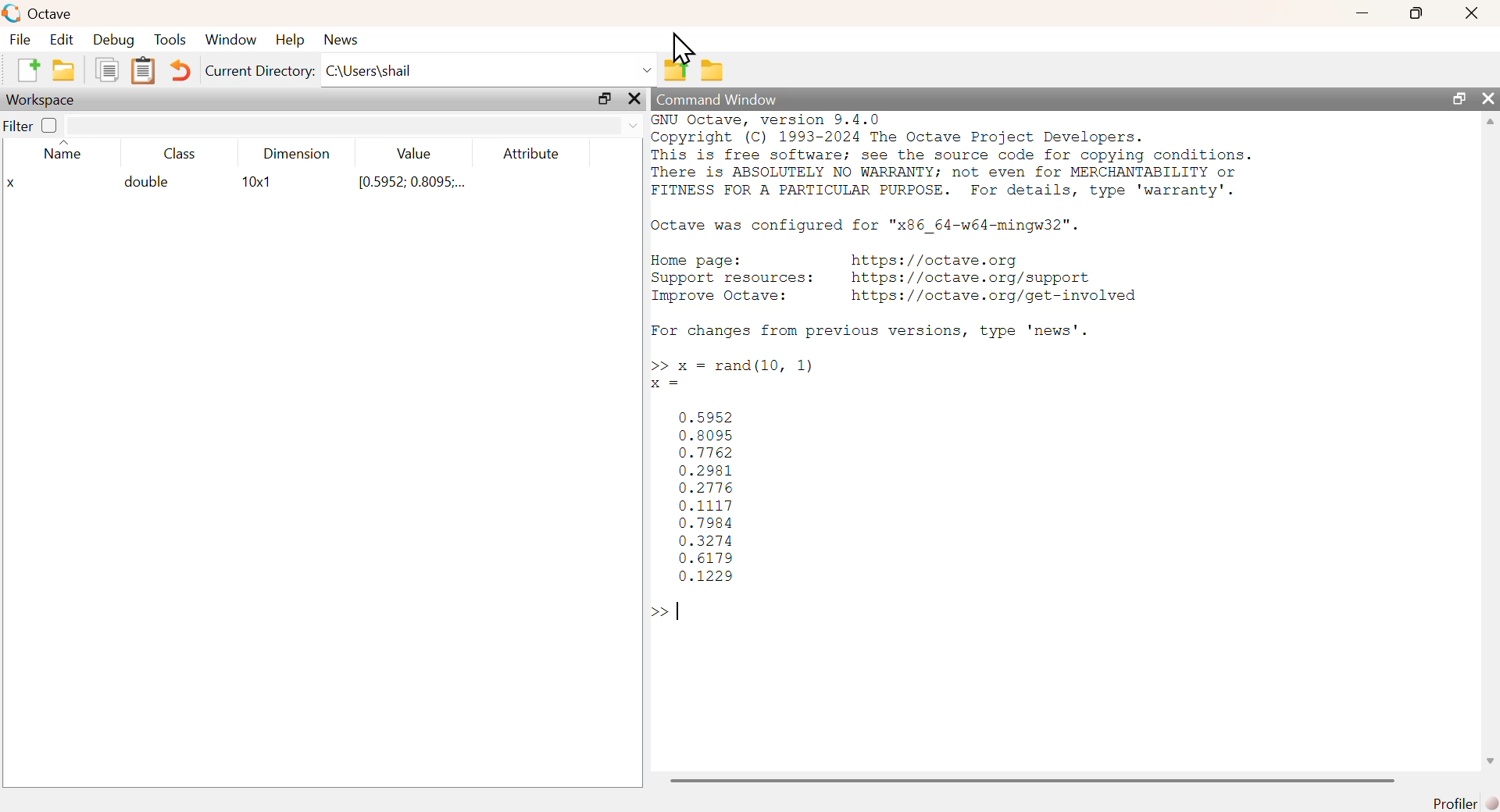 The width and height of the screenshot is (1500, 812). Describe the element at coordinates (605, 97) in the screenshot. I see `maximize` at that location.